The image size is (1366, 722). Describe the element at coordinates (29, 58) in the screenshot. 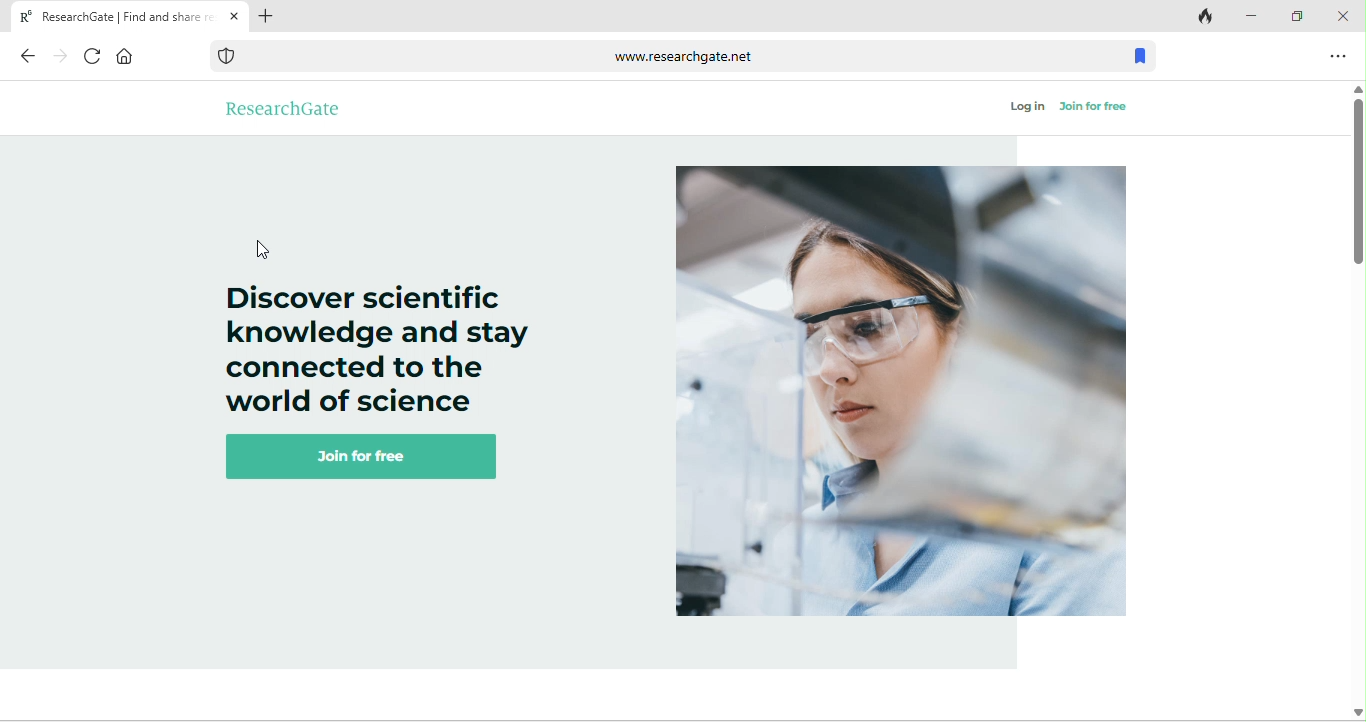

I see `back` at that location.